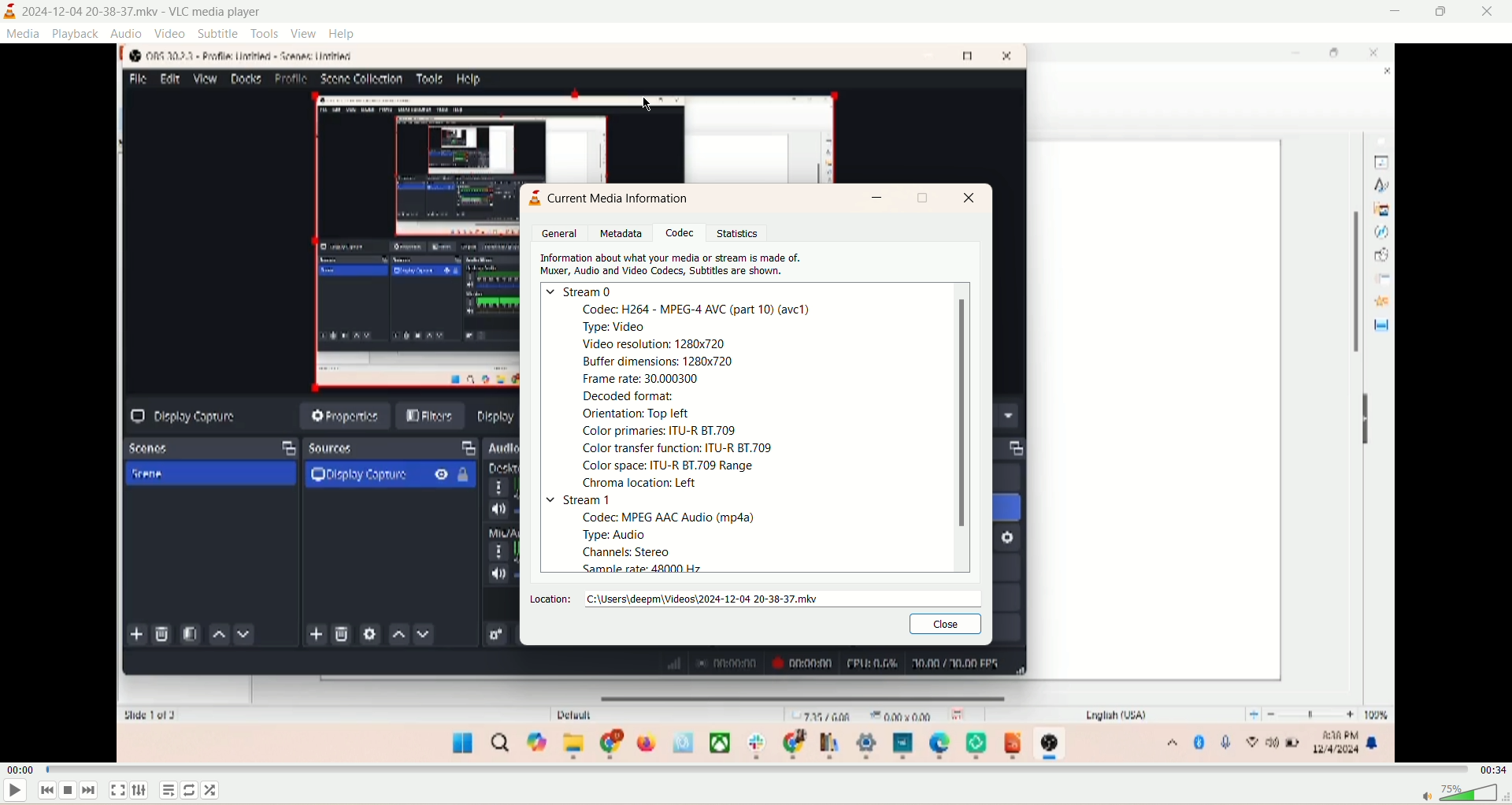 The image size is (1512, 805). Describe the element at coordinates (23, 34) in the screenshot. I see `media` at that location.